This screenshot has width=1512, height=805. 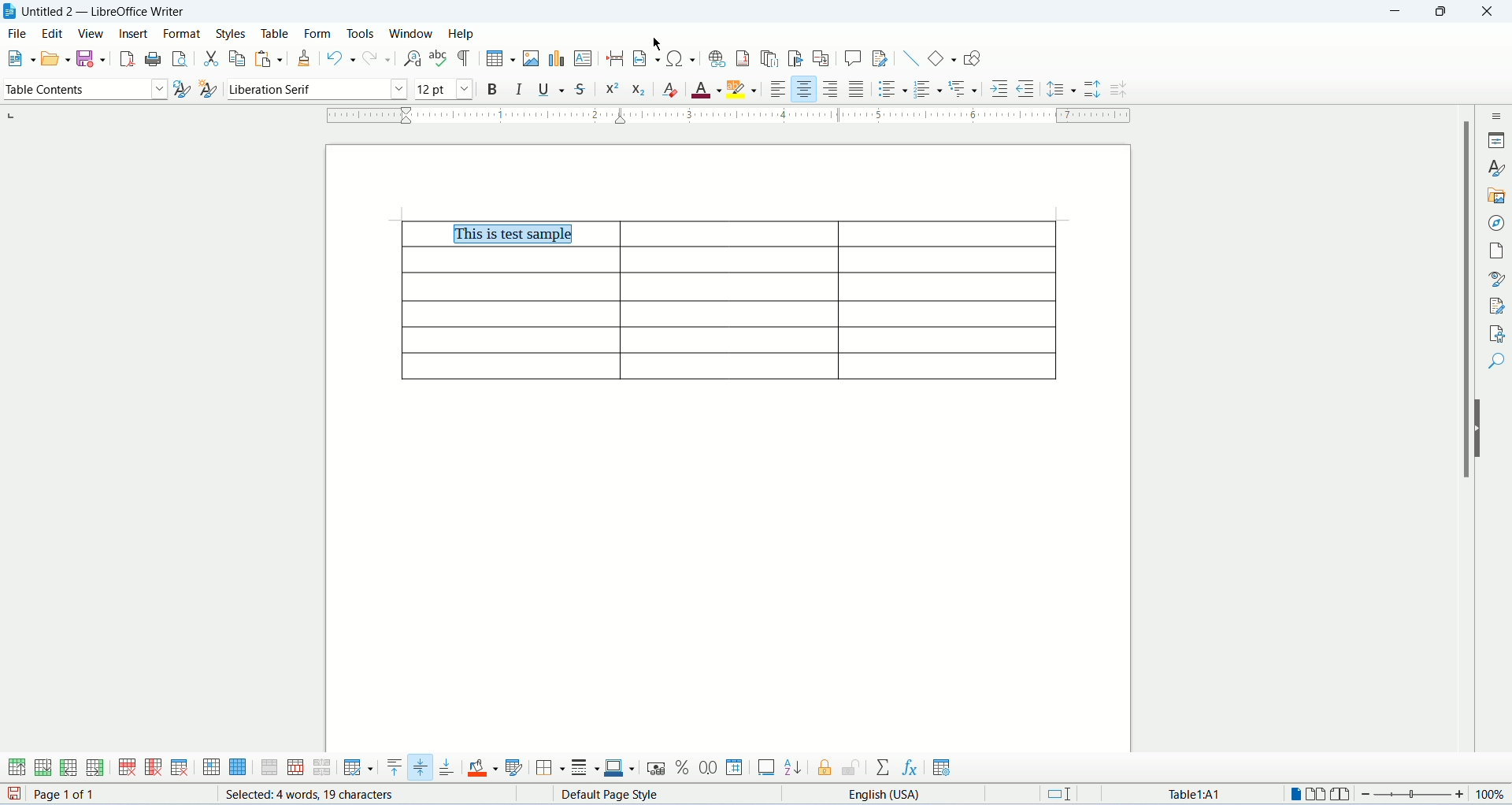 What do you see at coordinates (1498, 306) in the screenshot?
I see `manage changes` at bounding box center [1498, 306].